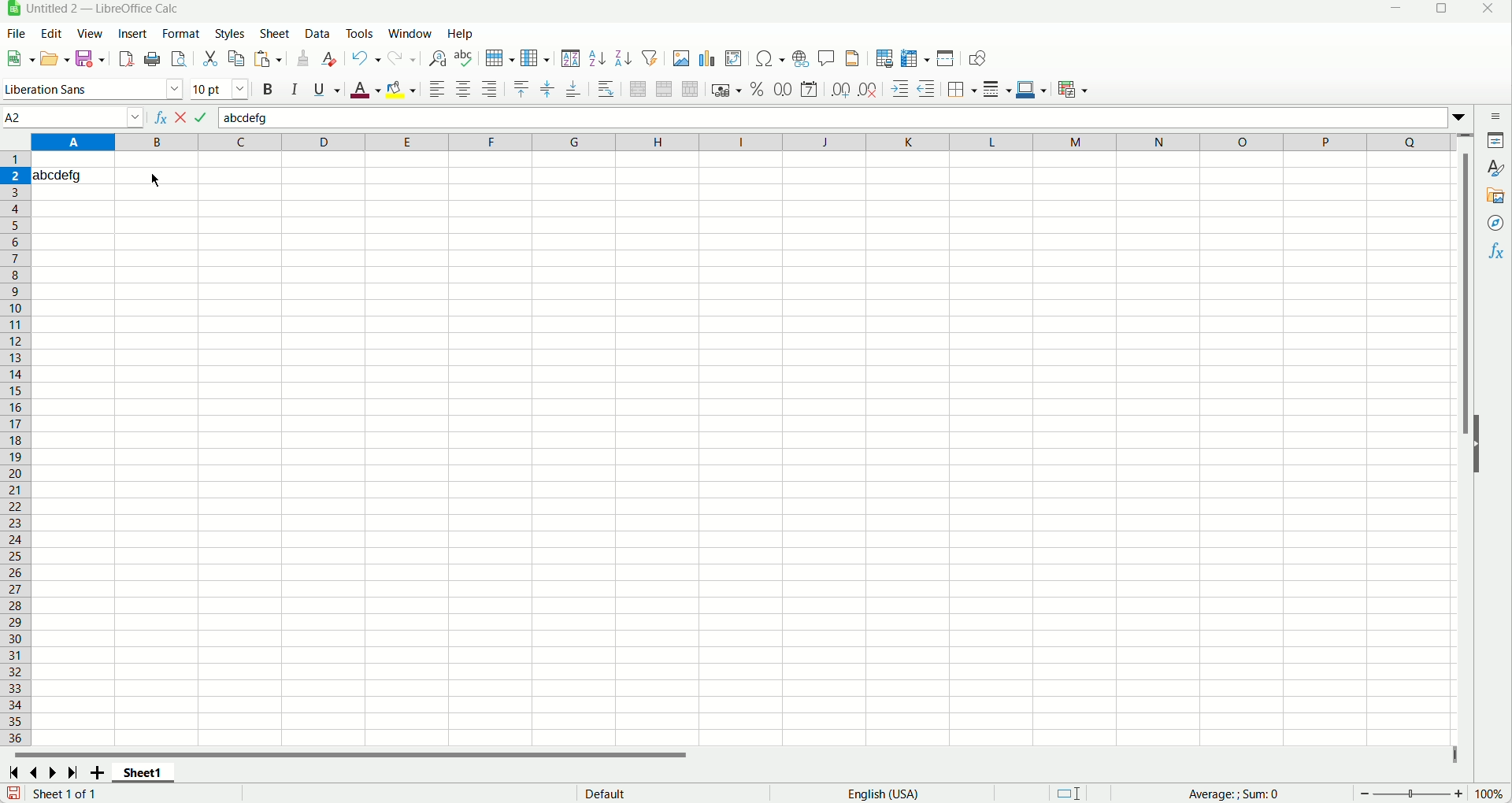  What do you see at coordinates (664, 91) in the screenshot?
I see `merge cells` at bounding box center [664, 91].